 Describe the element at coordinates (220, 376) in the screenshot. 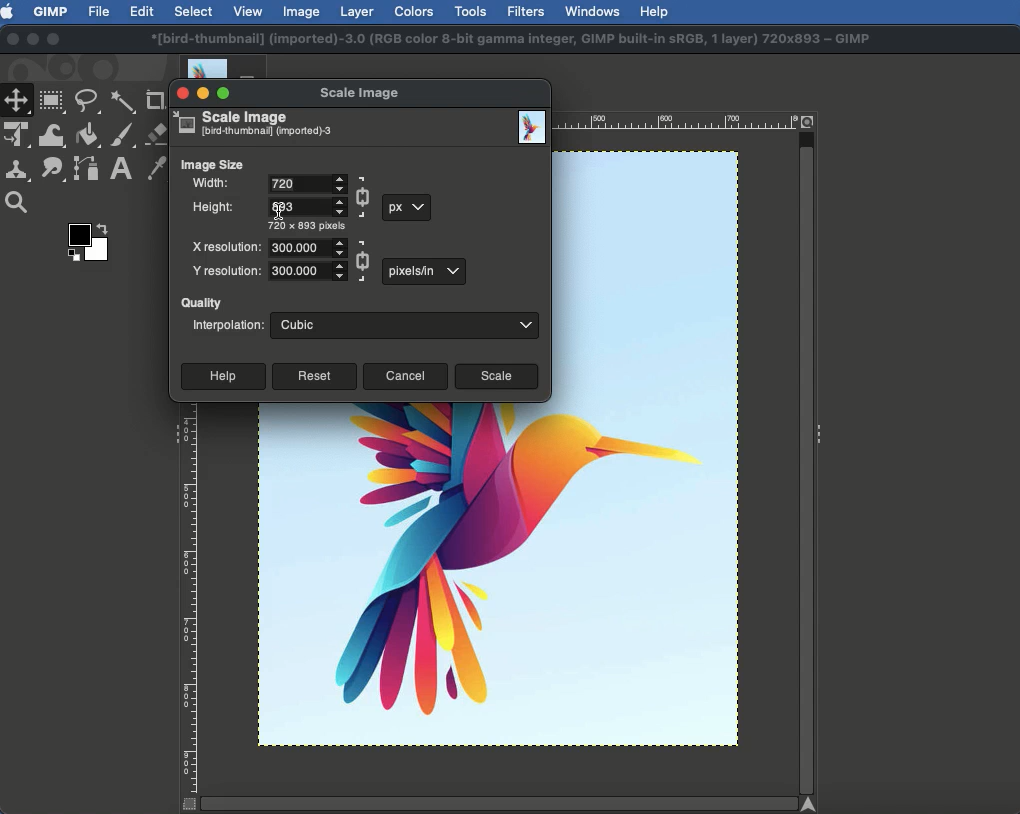

I see `Help` at that location.